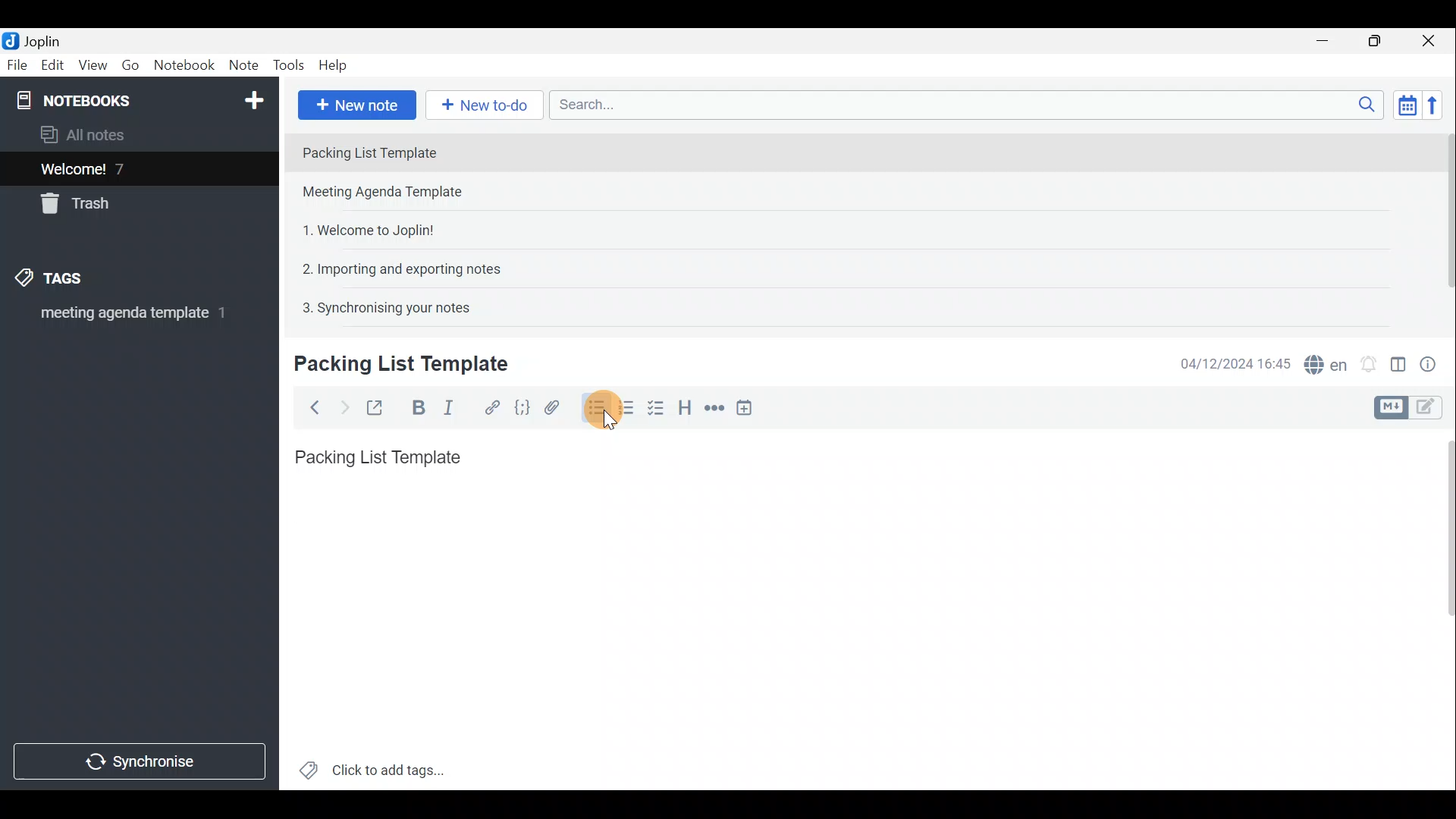 The width and height of the screenshot is (1456, 819). Describe the element at coordinates (341, 406) in the screenshot. I see `Forward` at that location.